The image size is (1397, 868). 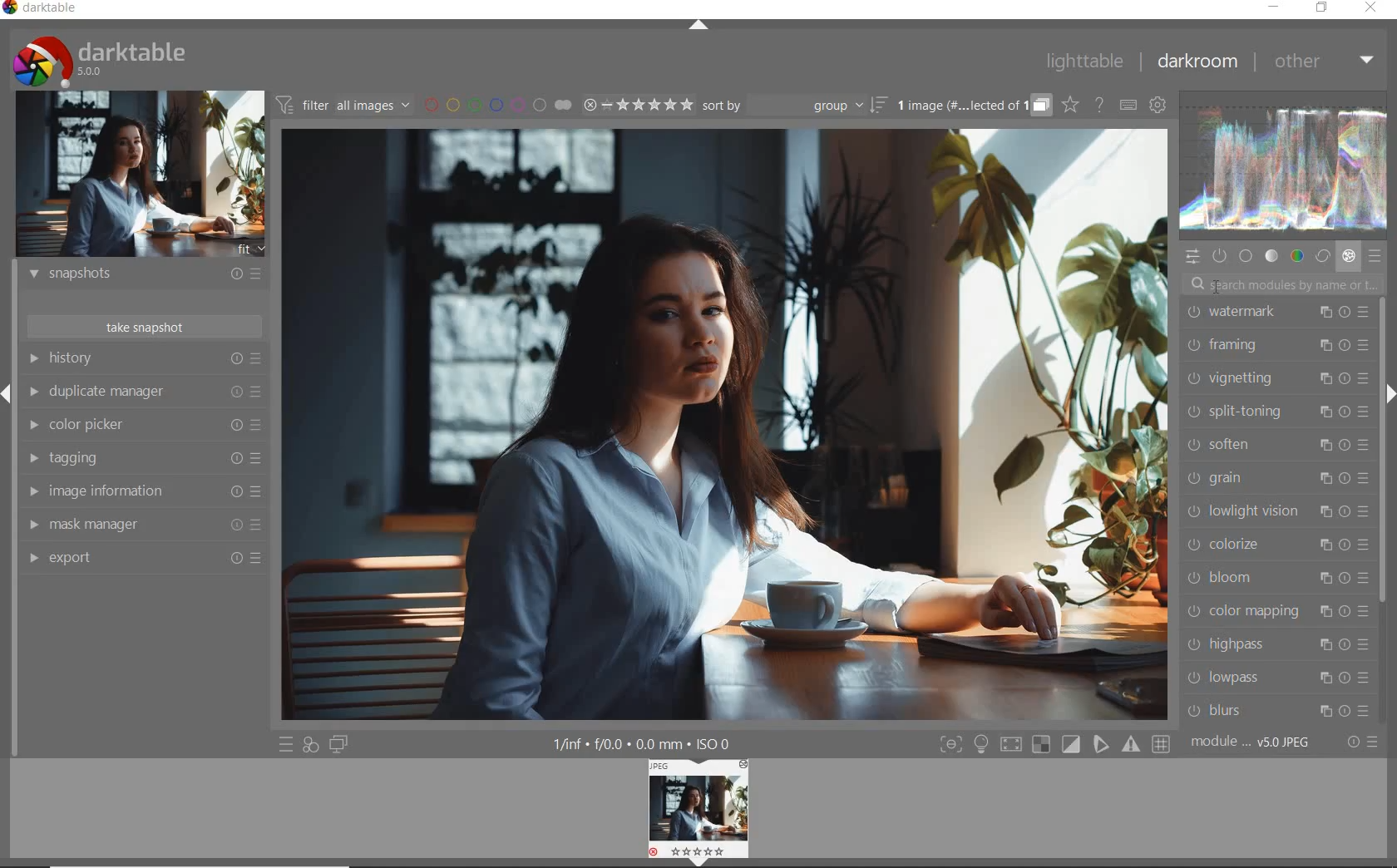 I want to click on blurs, so click(x=1281, y=710).